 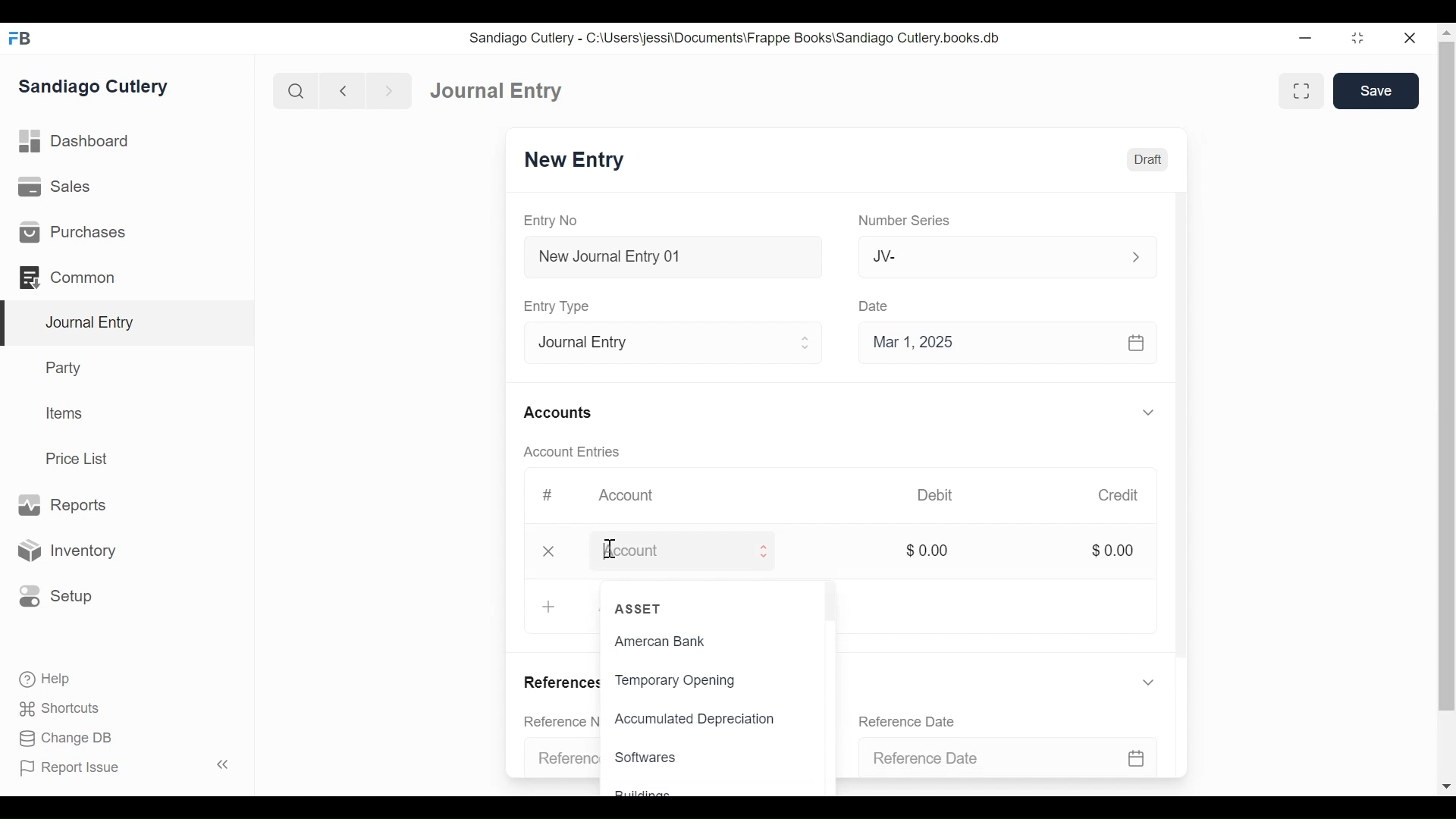 What do you see at coordinates (59, 739) in the screenshot?
I see `Change DB` at bounding box center [59, 739].